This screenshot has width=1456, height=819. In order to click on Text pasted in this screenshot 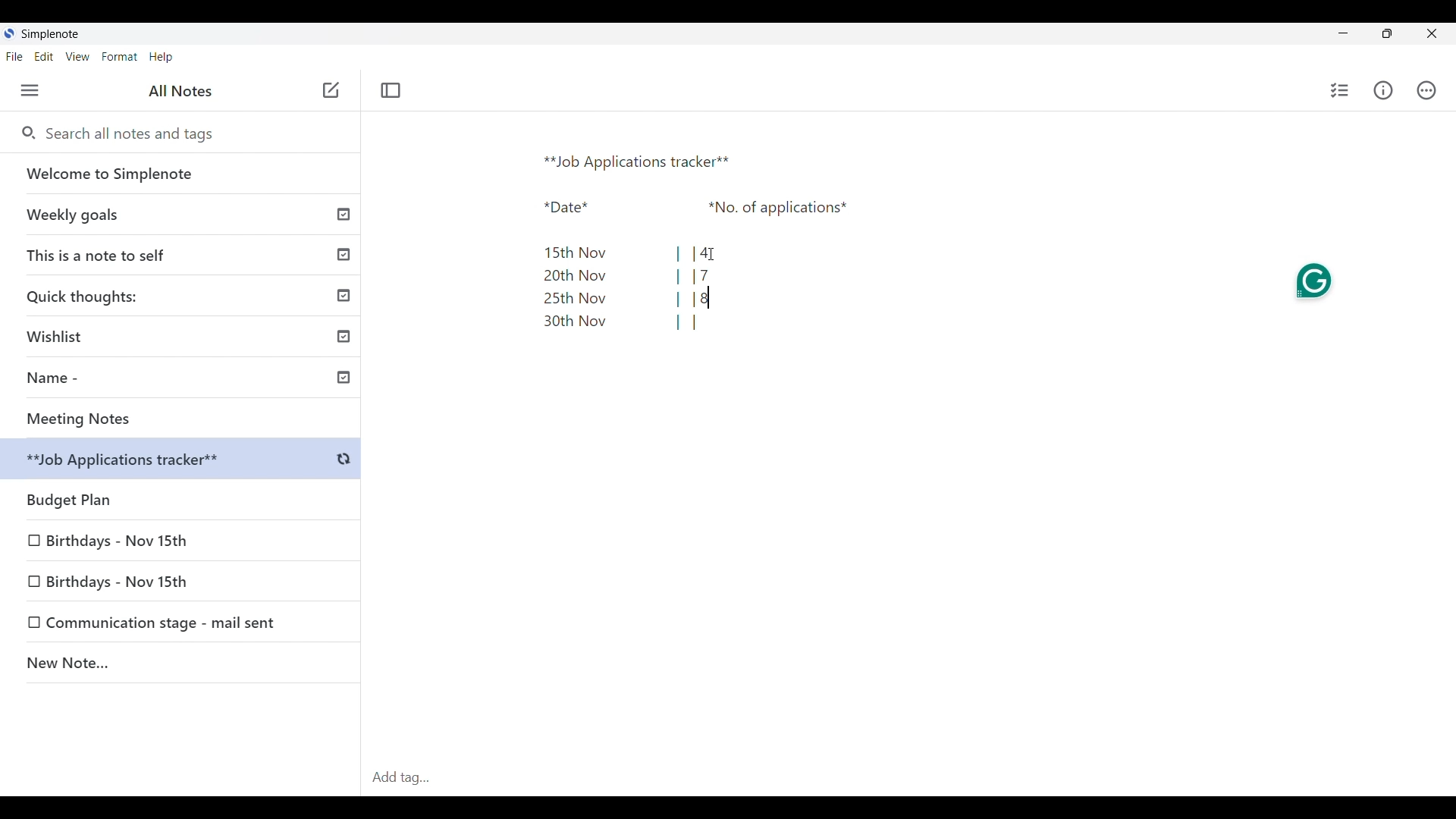, I will do `click(684, 240)`.